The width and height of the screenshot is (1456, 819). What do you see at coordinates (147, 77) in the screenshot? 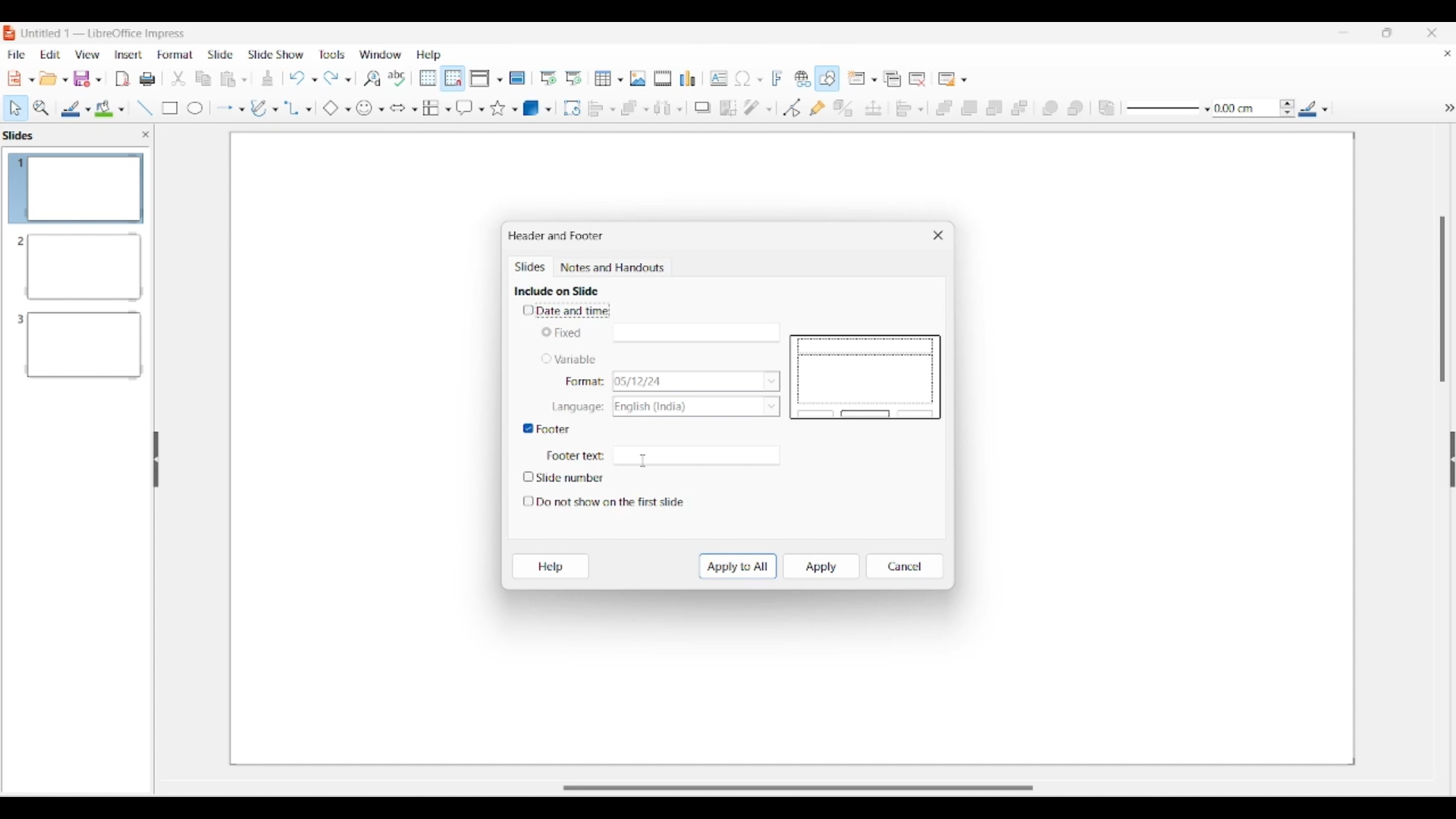
I see `Print` at bounding box center [147, 77].